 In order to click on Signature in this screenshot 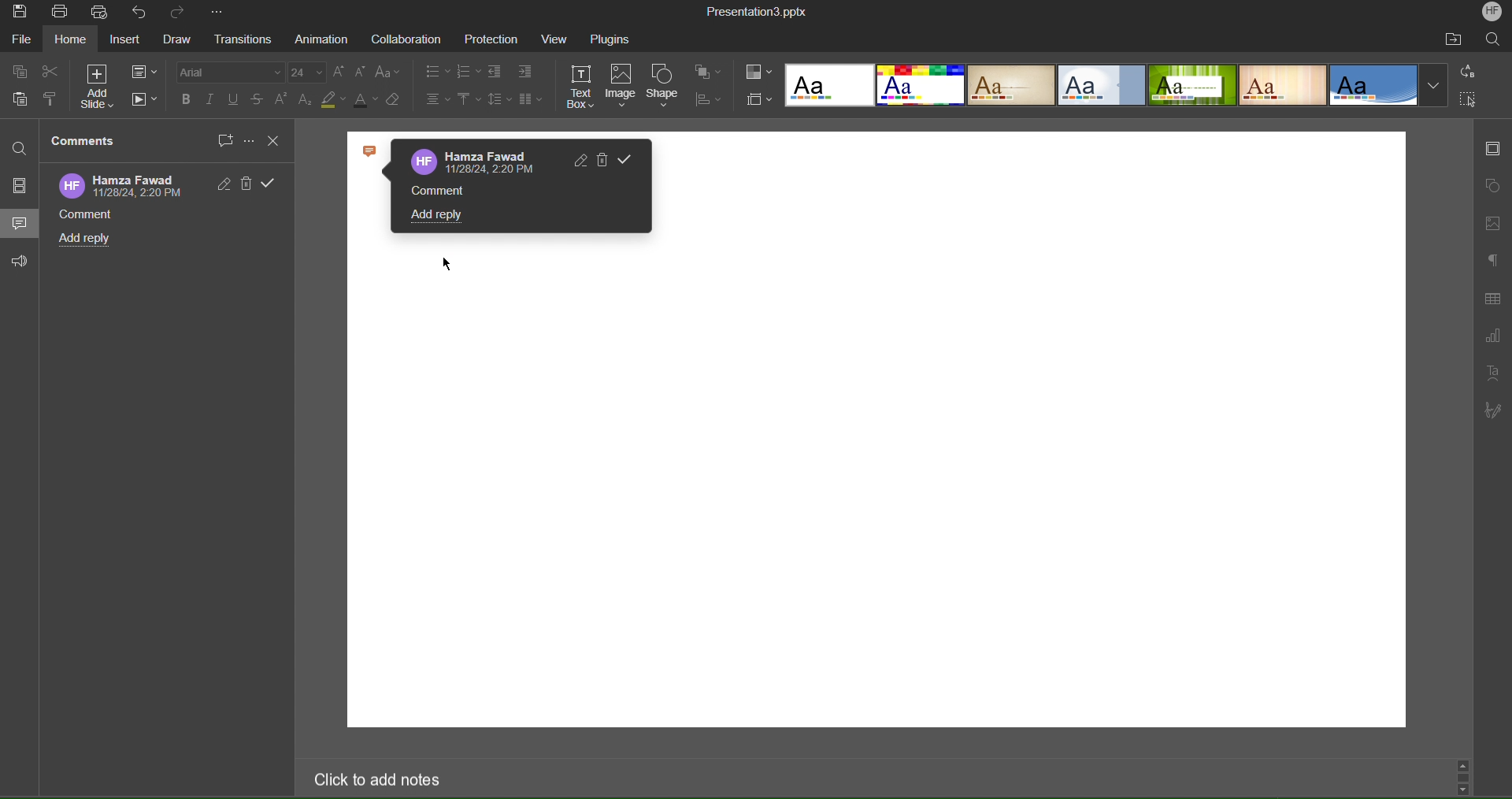, I will do `click(1492, 412)`.